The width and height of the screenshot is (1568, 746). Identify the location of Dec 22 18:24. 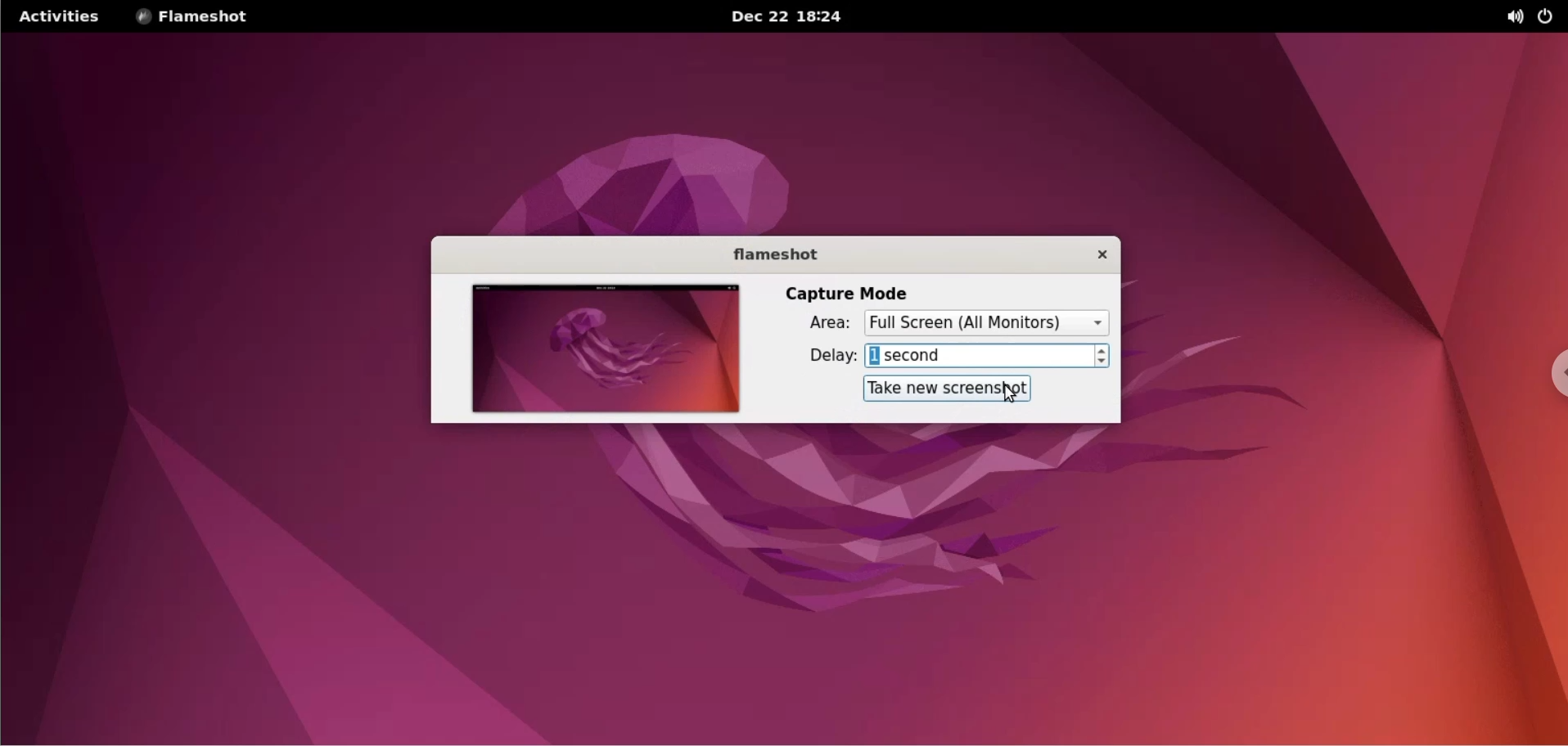
(778, 16).